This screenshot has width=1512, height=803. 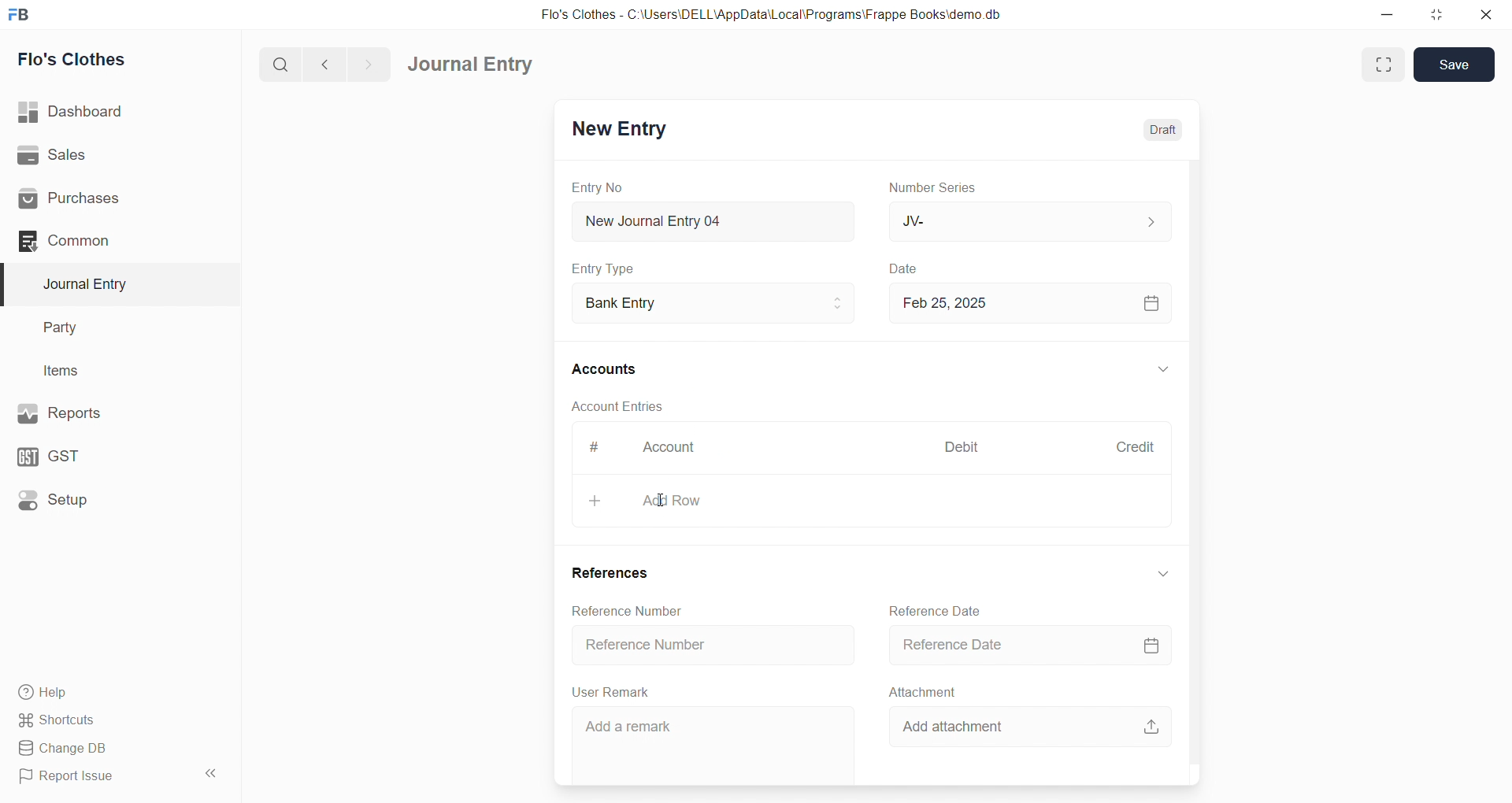 What do you see at coordinates (110, 328) in the screenshot?
I see `Party` at bounding box center [110, 328].